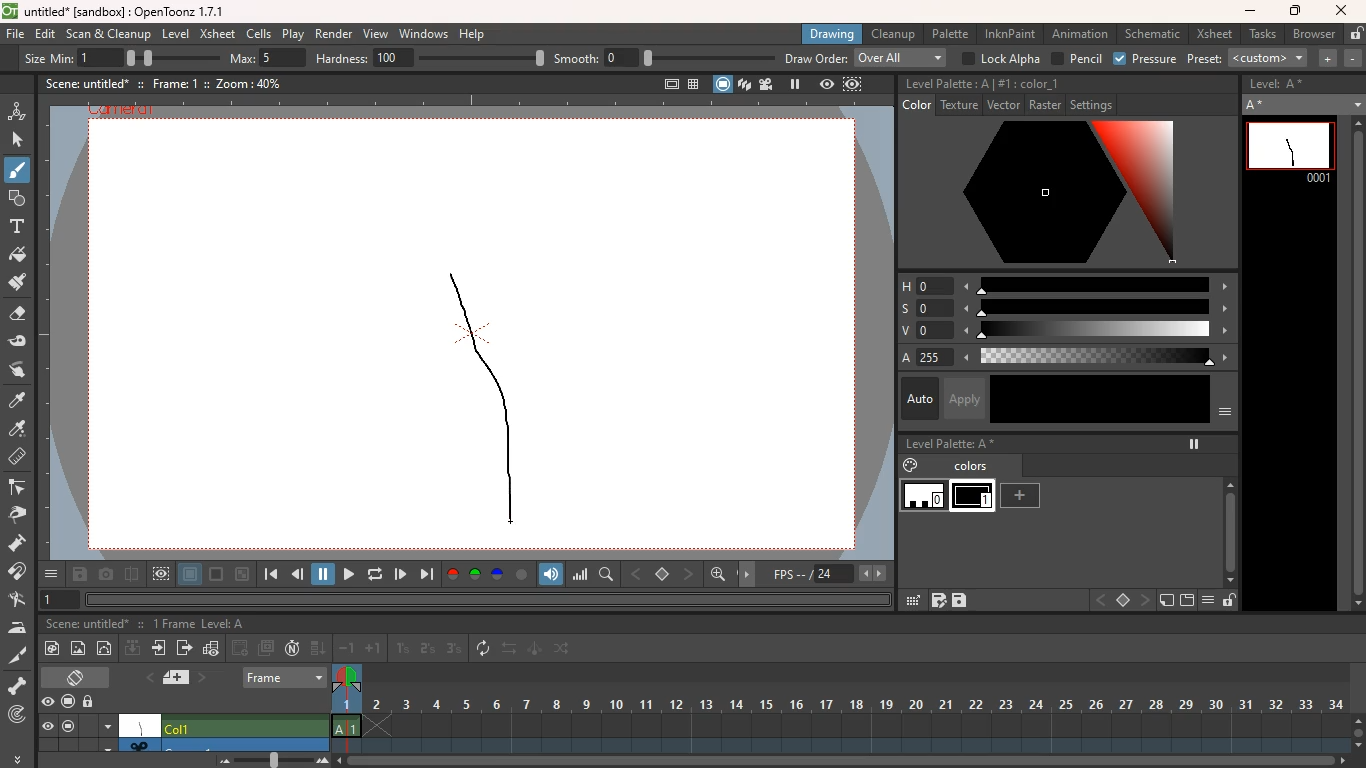 This screenshot has width=1366, height=768. I want to click on animate, so click(535, 650).